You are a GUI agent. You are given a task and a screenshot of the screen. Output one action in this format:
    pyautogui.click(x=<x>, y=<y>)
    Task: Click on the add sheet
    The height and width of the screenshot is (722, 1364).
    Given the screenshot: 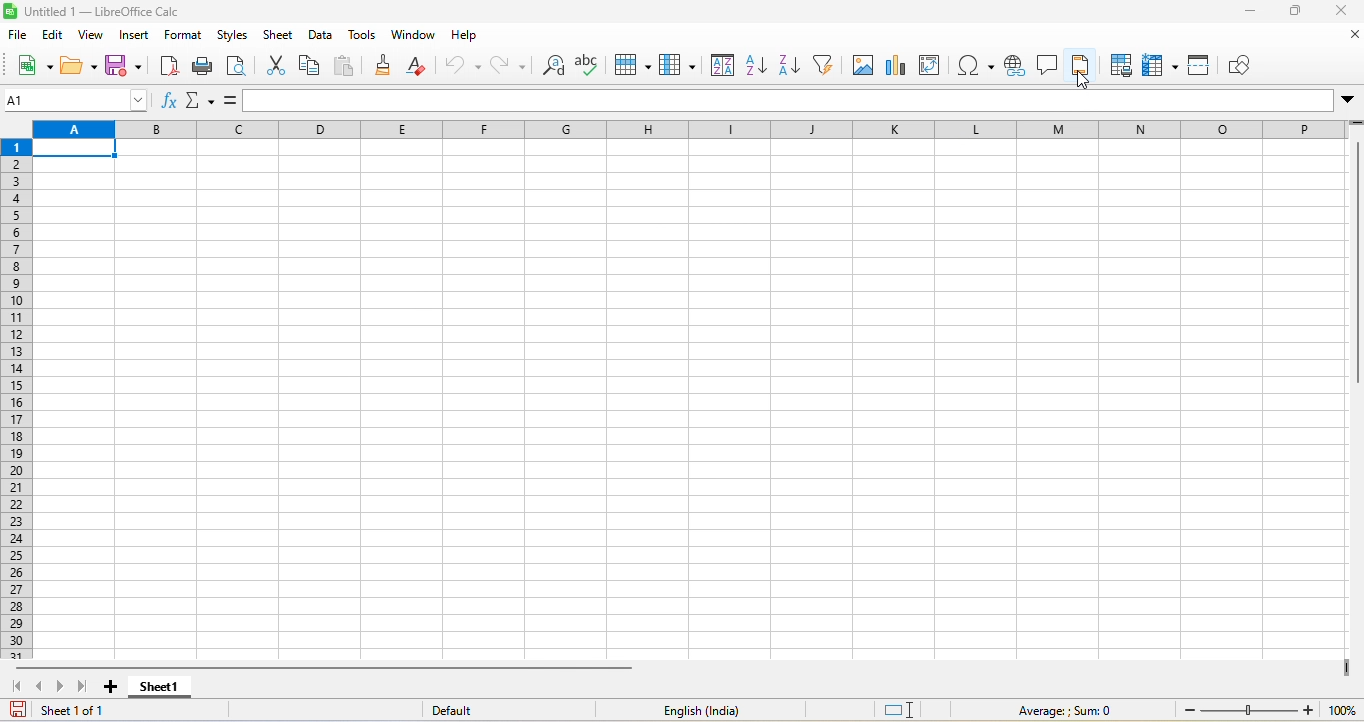 What is the action you would take?
    pyautogui.click(x=110, y=685)
    